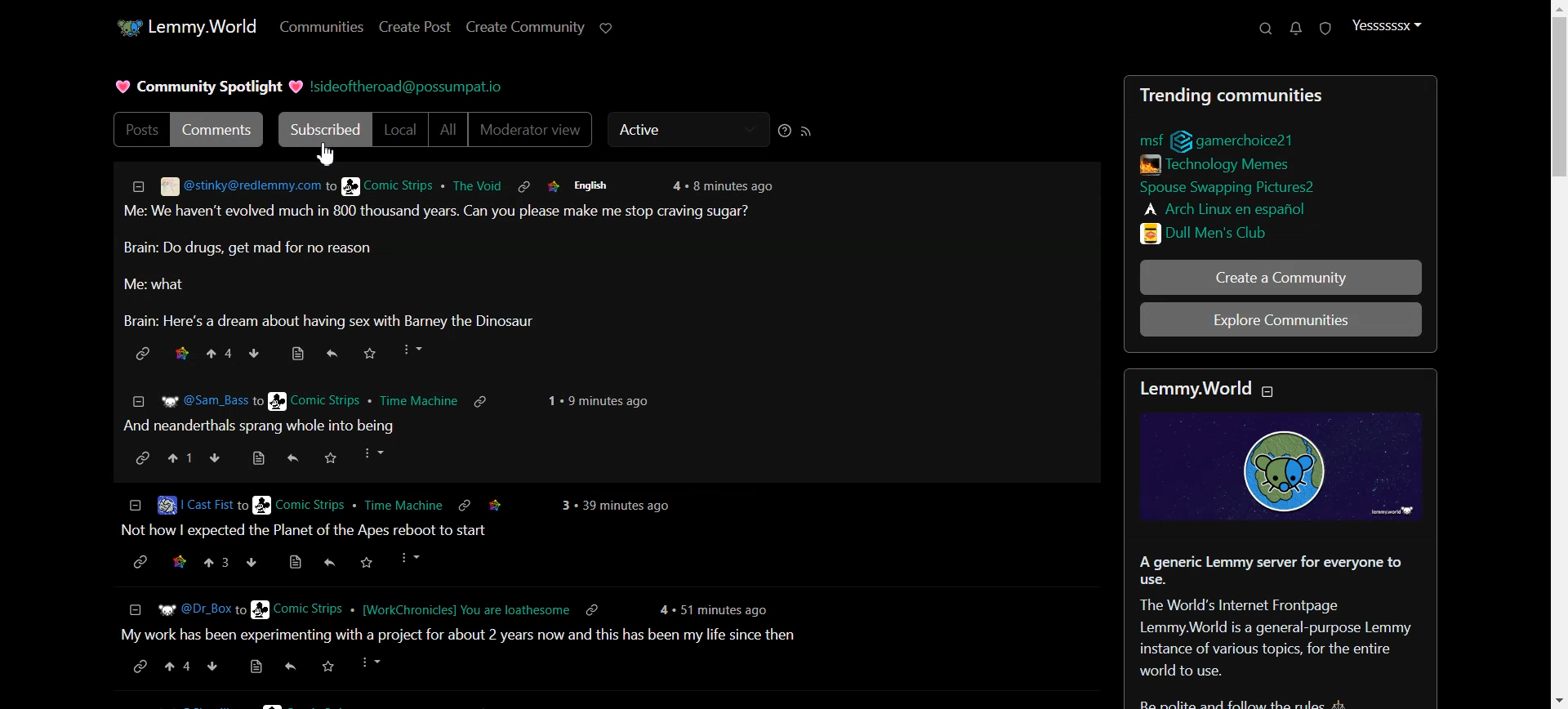 The height and width of the screenshot is (709, 1568). What do you see at coordinates (299, 350) in the screenshot?
I see `bookmark` at bounding box center [299, 350].